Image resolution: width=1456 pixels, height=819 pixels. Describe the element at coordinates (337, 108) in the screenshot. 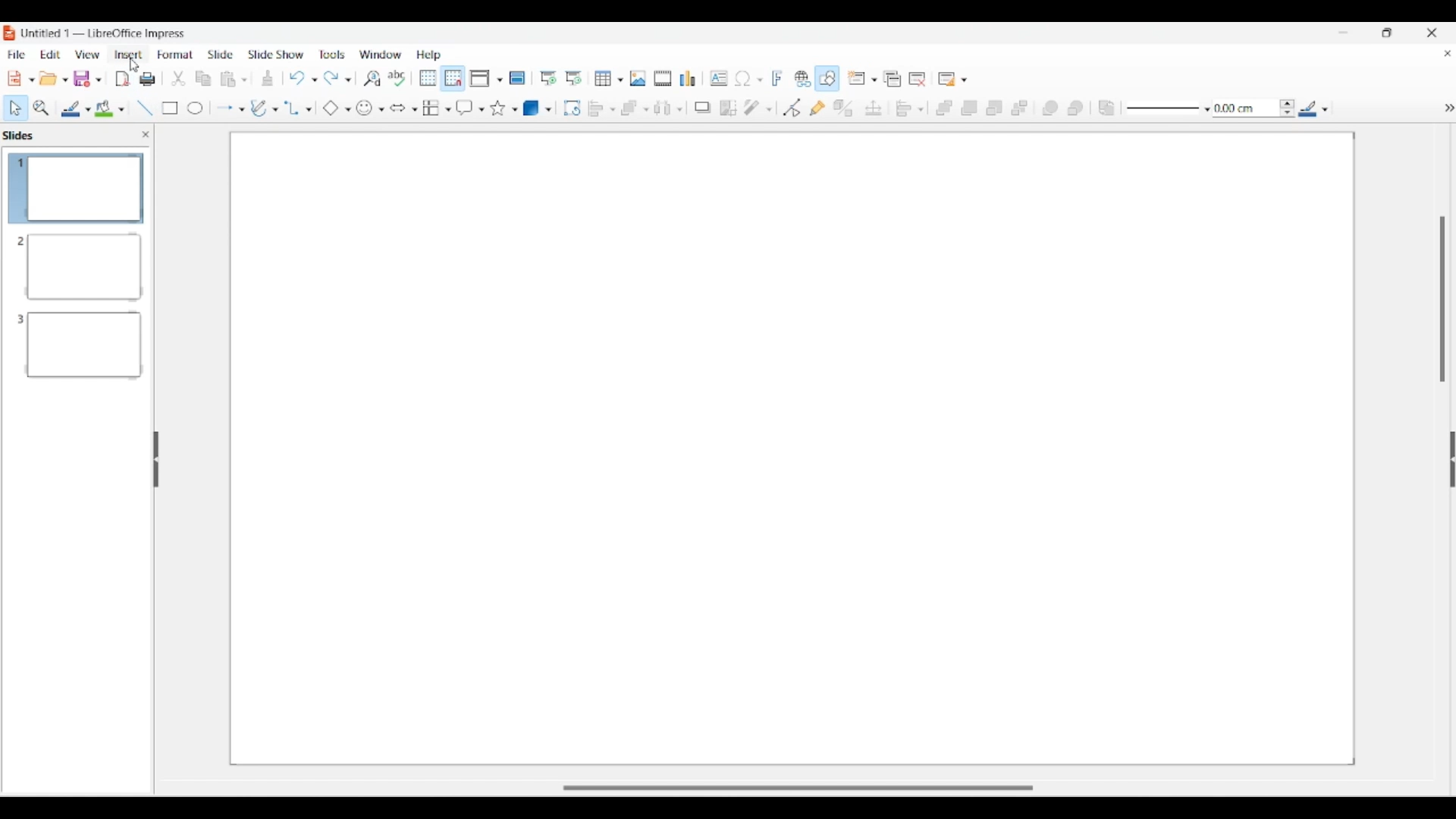

I see `Basic shape options` at that location.